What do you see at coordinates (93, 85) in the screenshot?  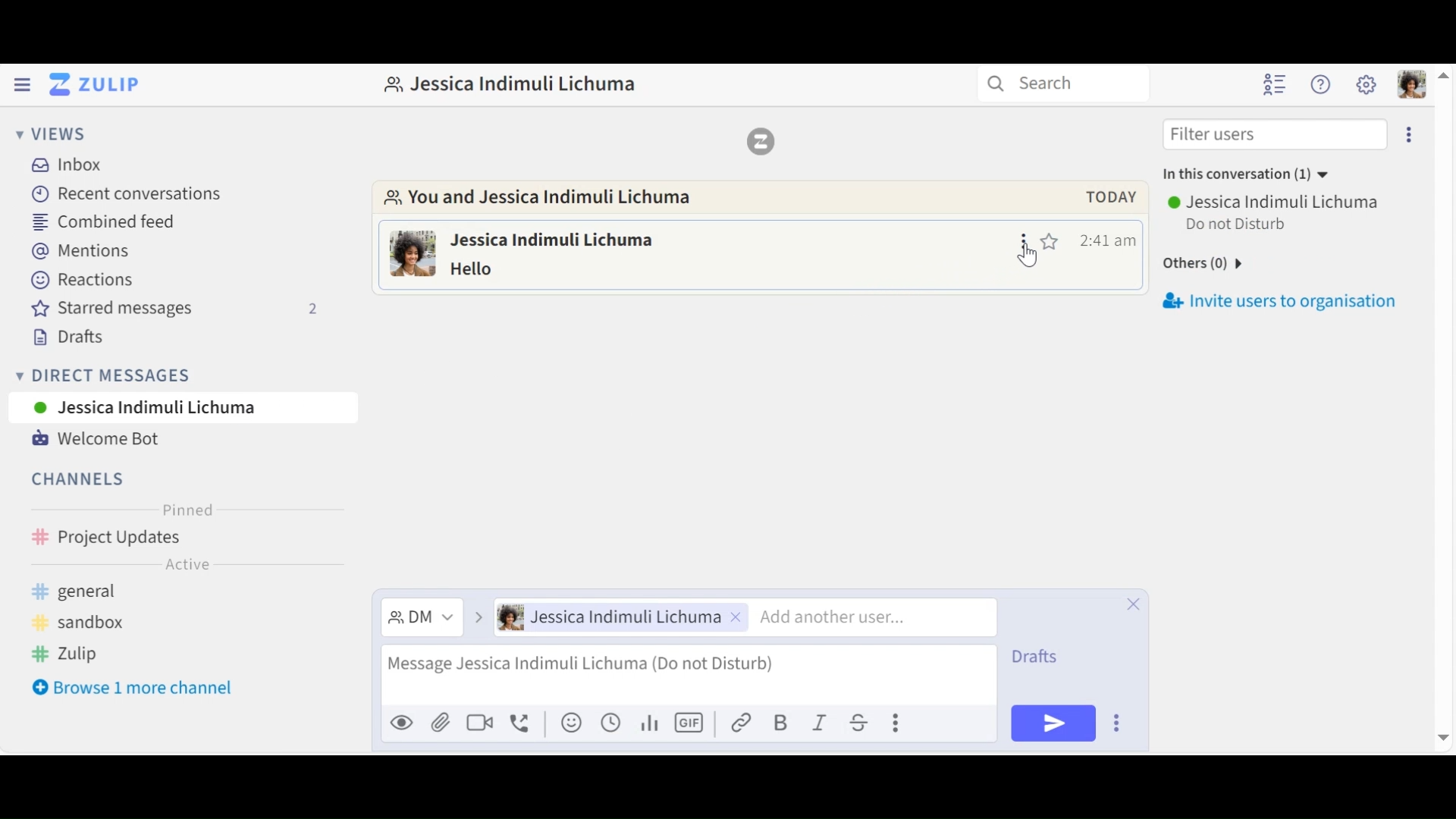 I see `Go to Home View (Inbox)` at bounding box center [93, 85].